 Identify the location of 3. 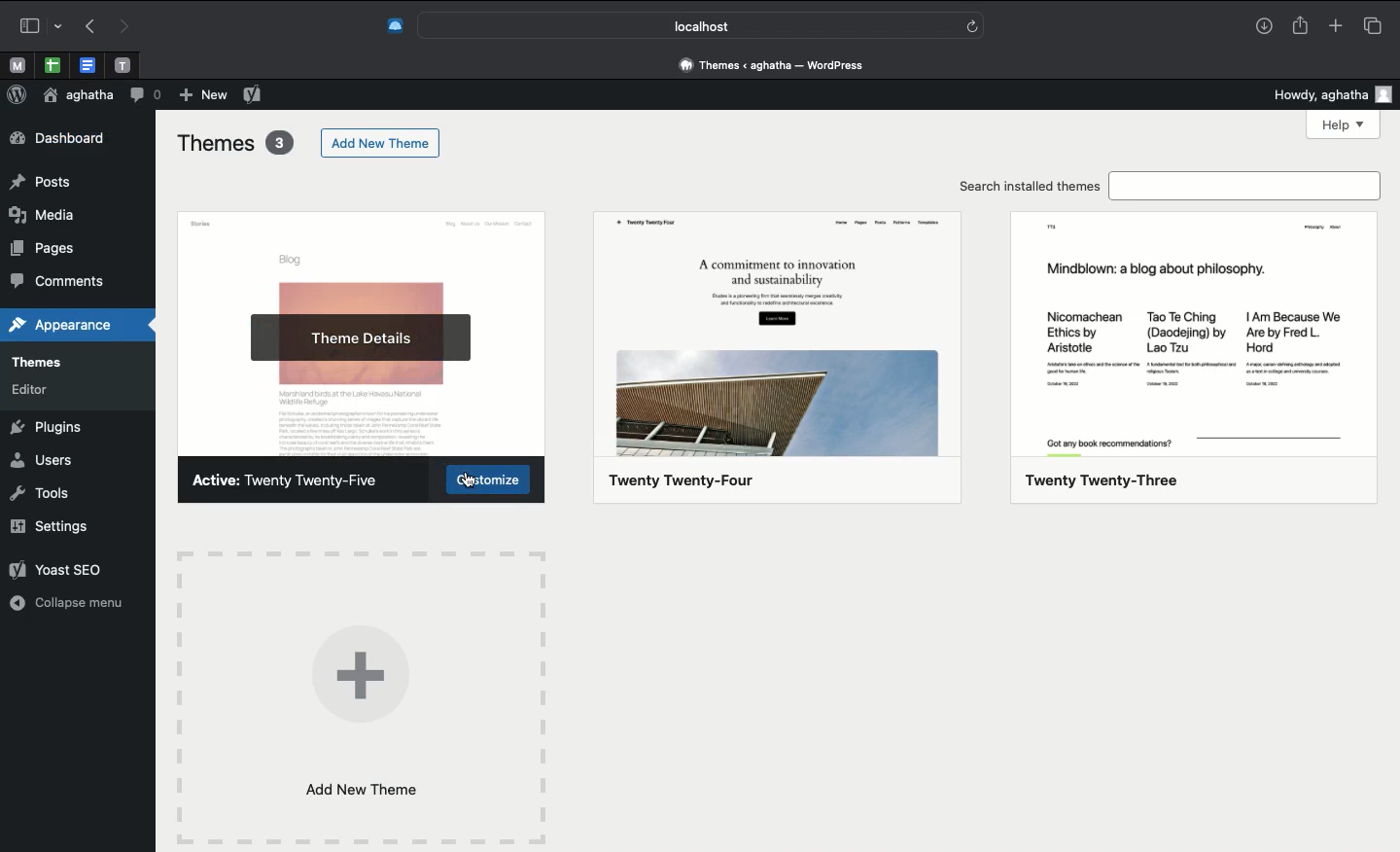
(279, 143).